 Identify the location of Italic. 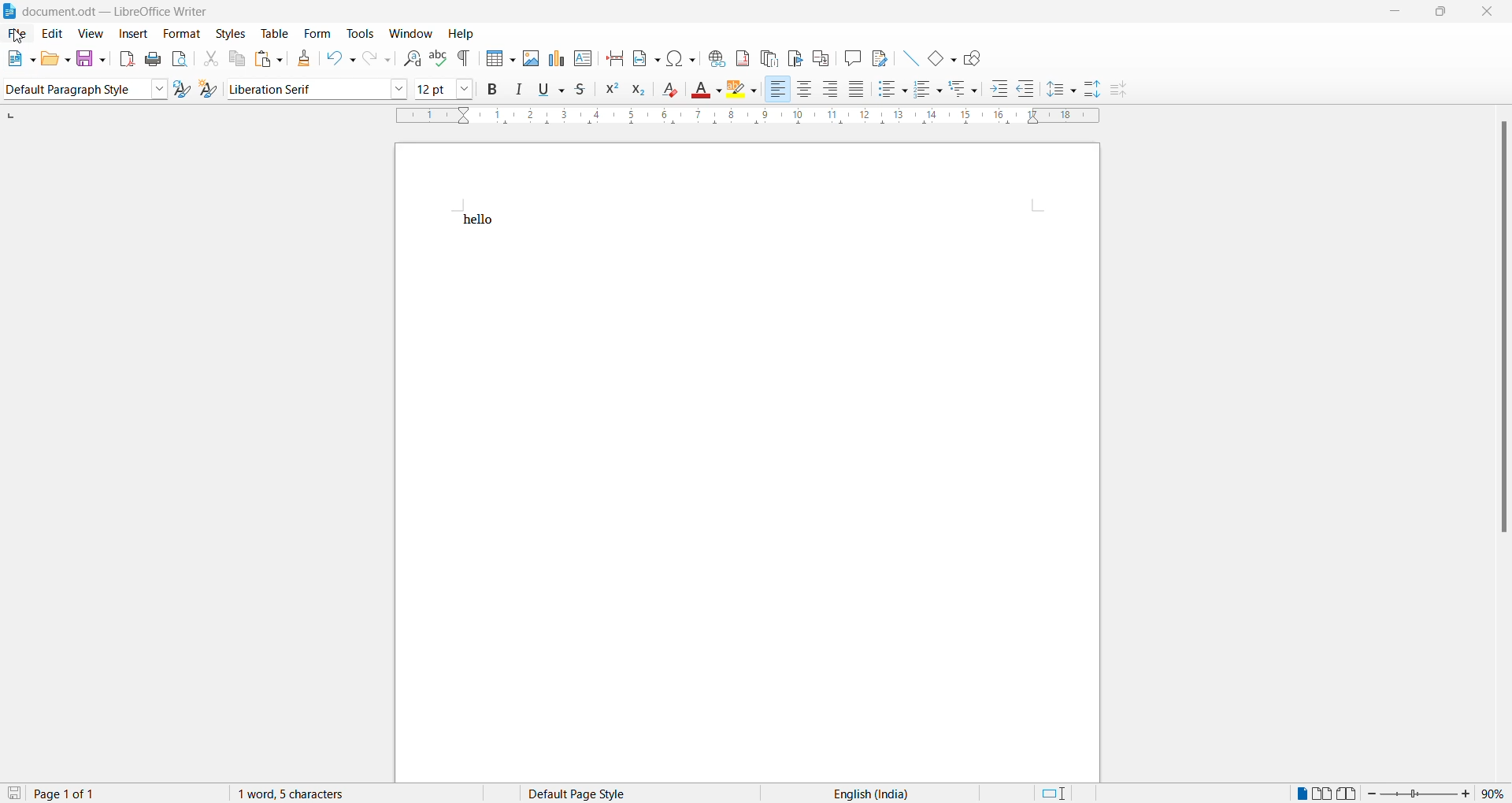
(518, 92).